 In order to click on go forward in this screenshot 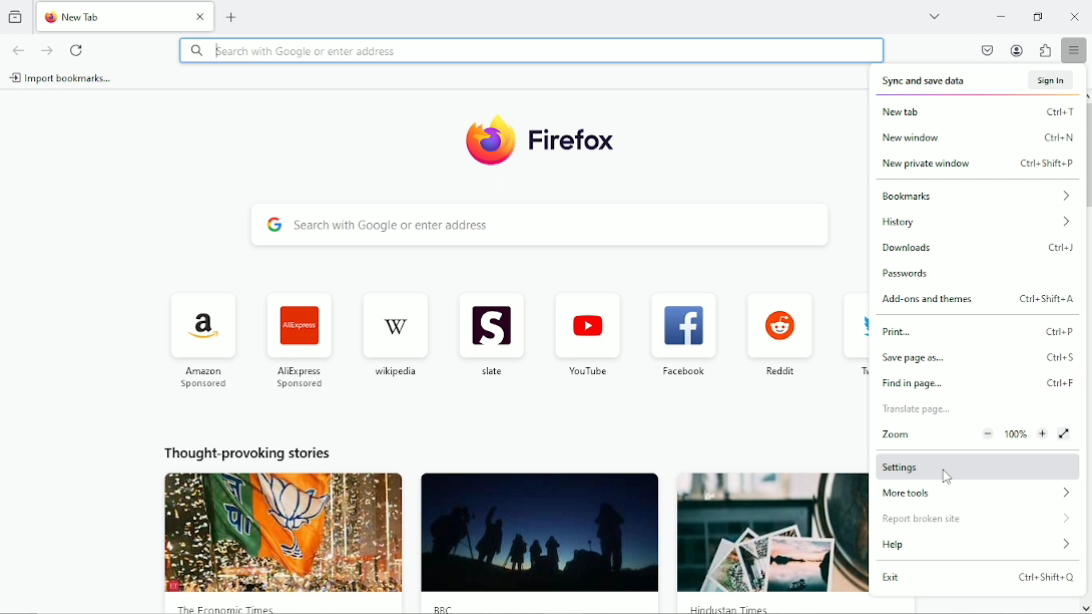, I will do `click(47, 51)`.